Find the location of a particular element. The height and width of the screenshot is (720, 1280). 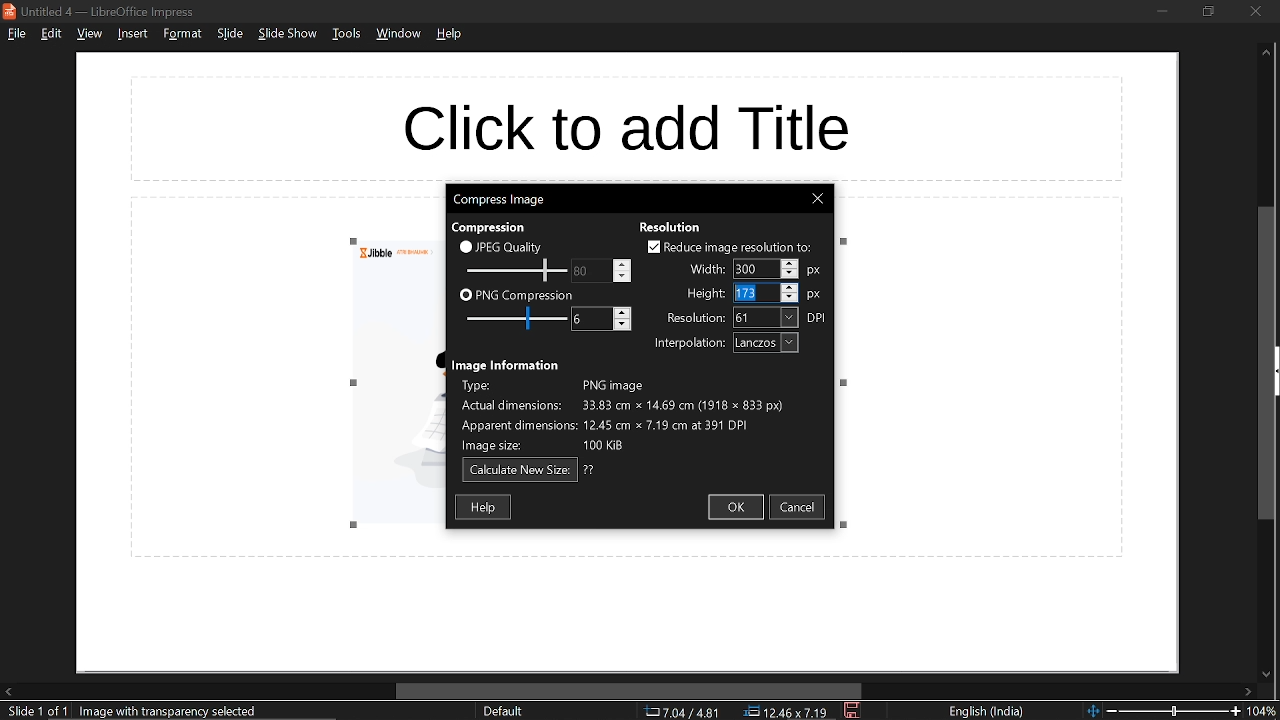

text is located at coordinates (671, 225).